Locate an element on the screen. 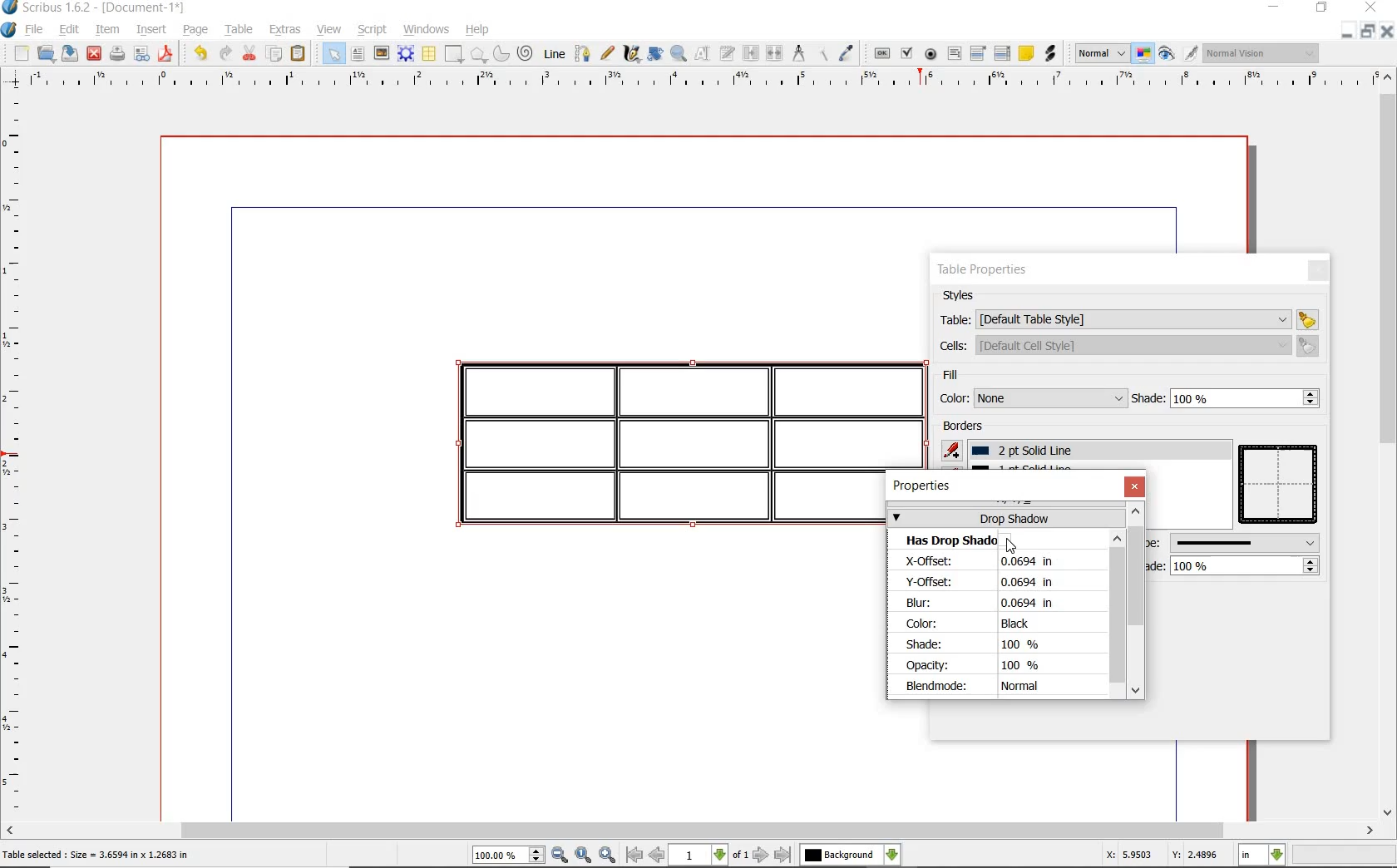 Image resolution: width=1397 pixels, height=868 pixels. print is located at coordinates (118, 55).